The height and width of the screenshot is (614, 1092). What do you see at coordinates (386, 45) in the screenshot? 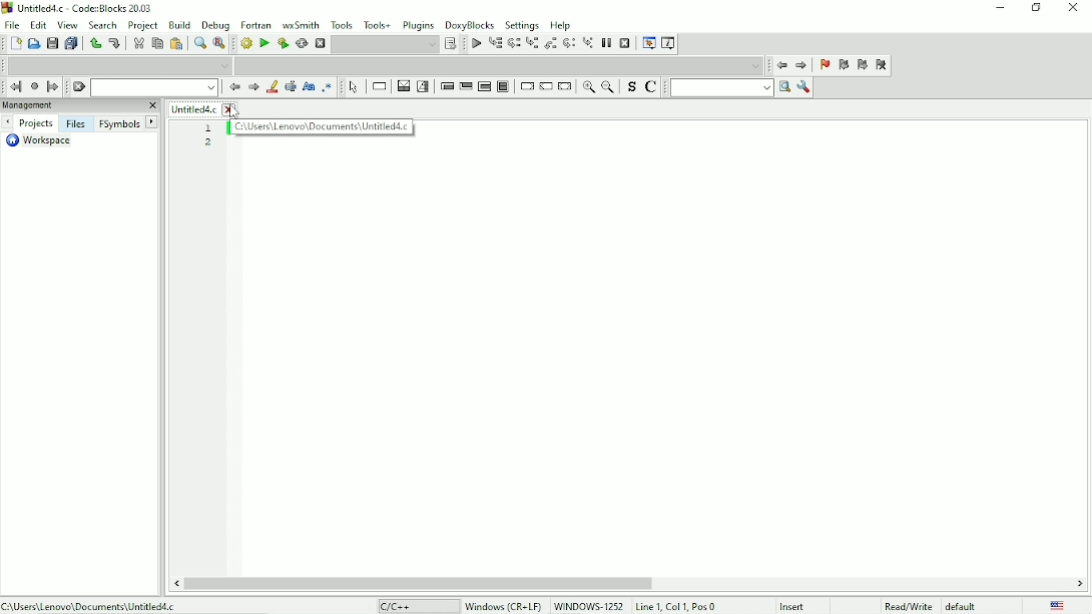
I see `Drop down` at bounding box center [386, 45].